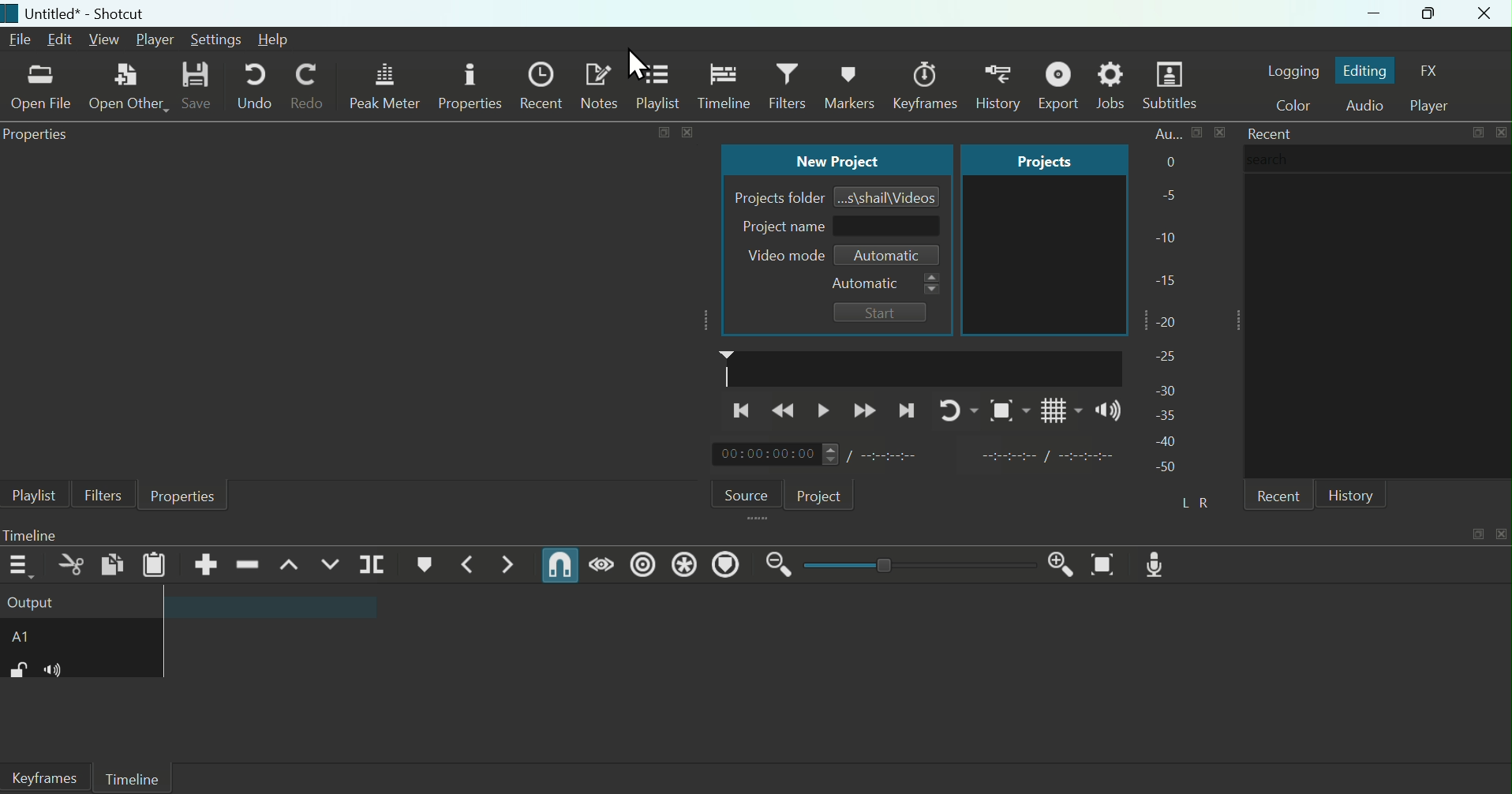 The image size is (1512, 794). I want to click on Ripple/Delete, so click(248, 564).